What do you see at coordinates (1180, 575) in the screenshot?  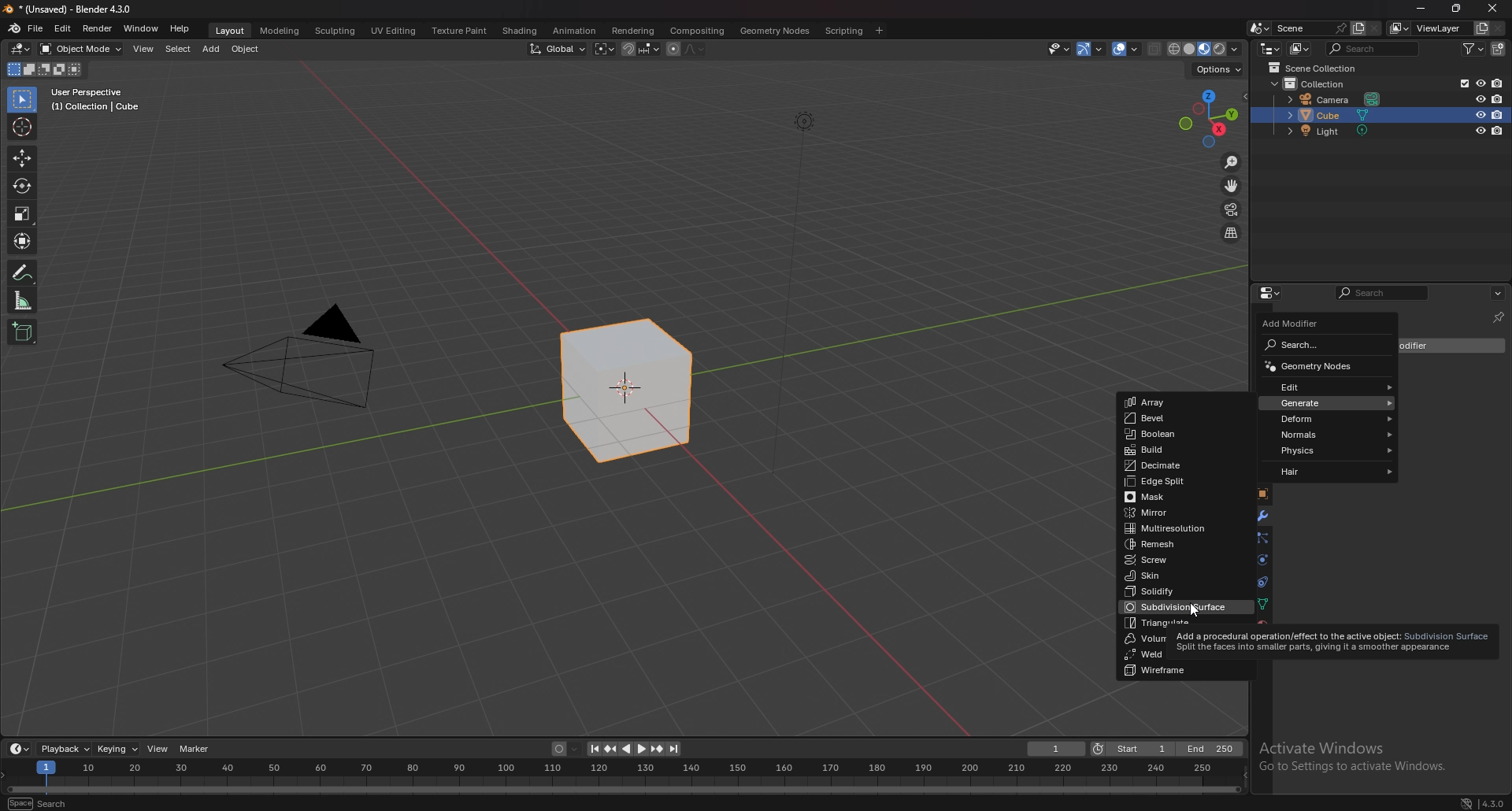 I see `skin` at bounding box center [1180, 575].